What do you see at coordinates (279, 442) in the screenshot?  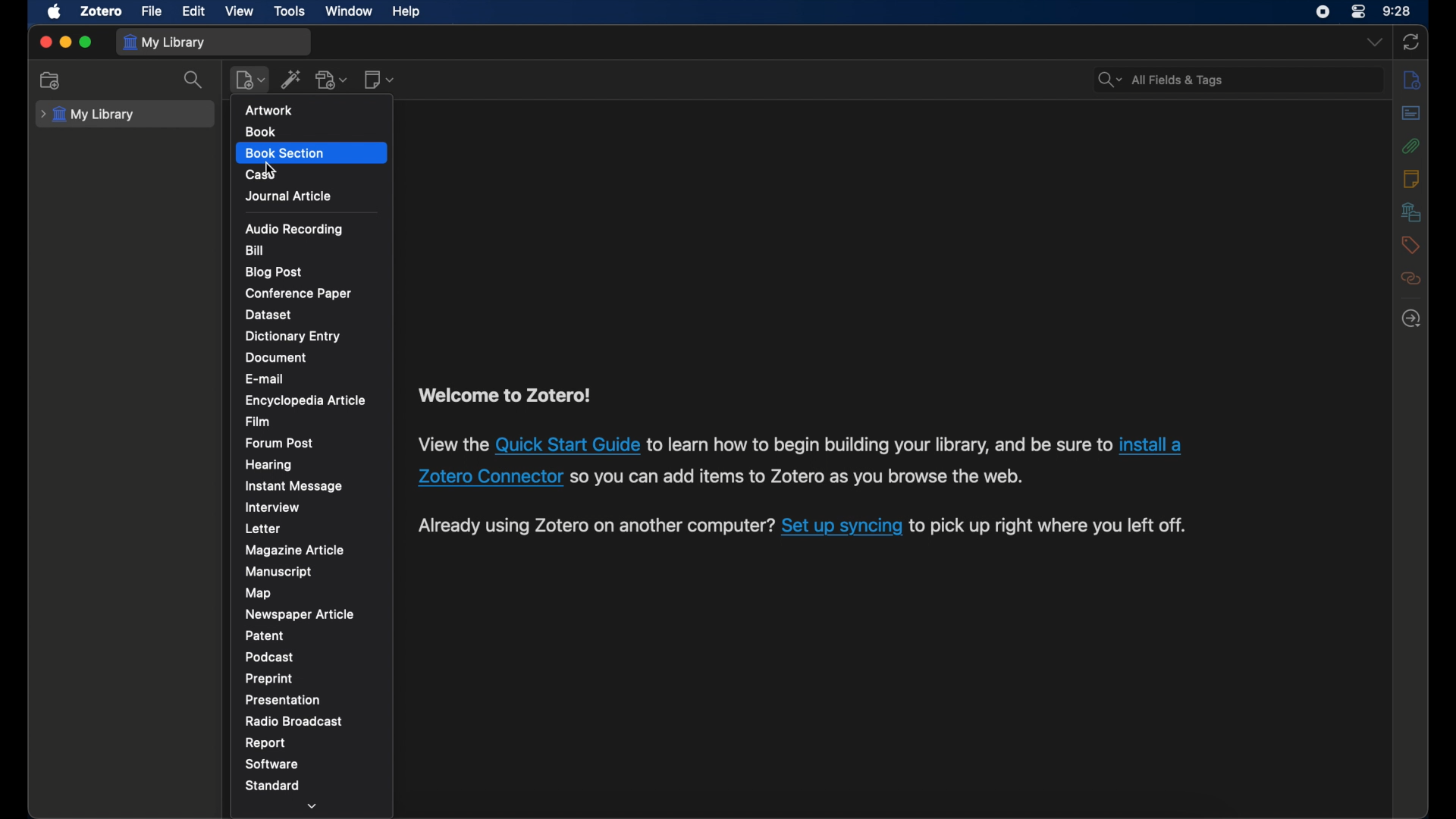 I see `forum post` at bounding box center [279, 442].